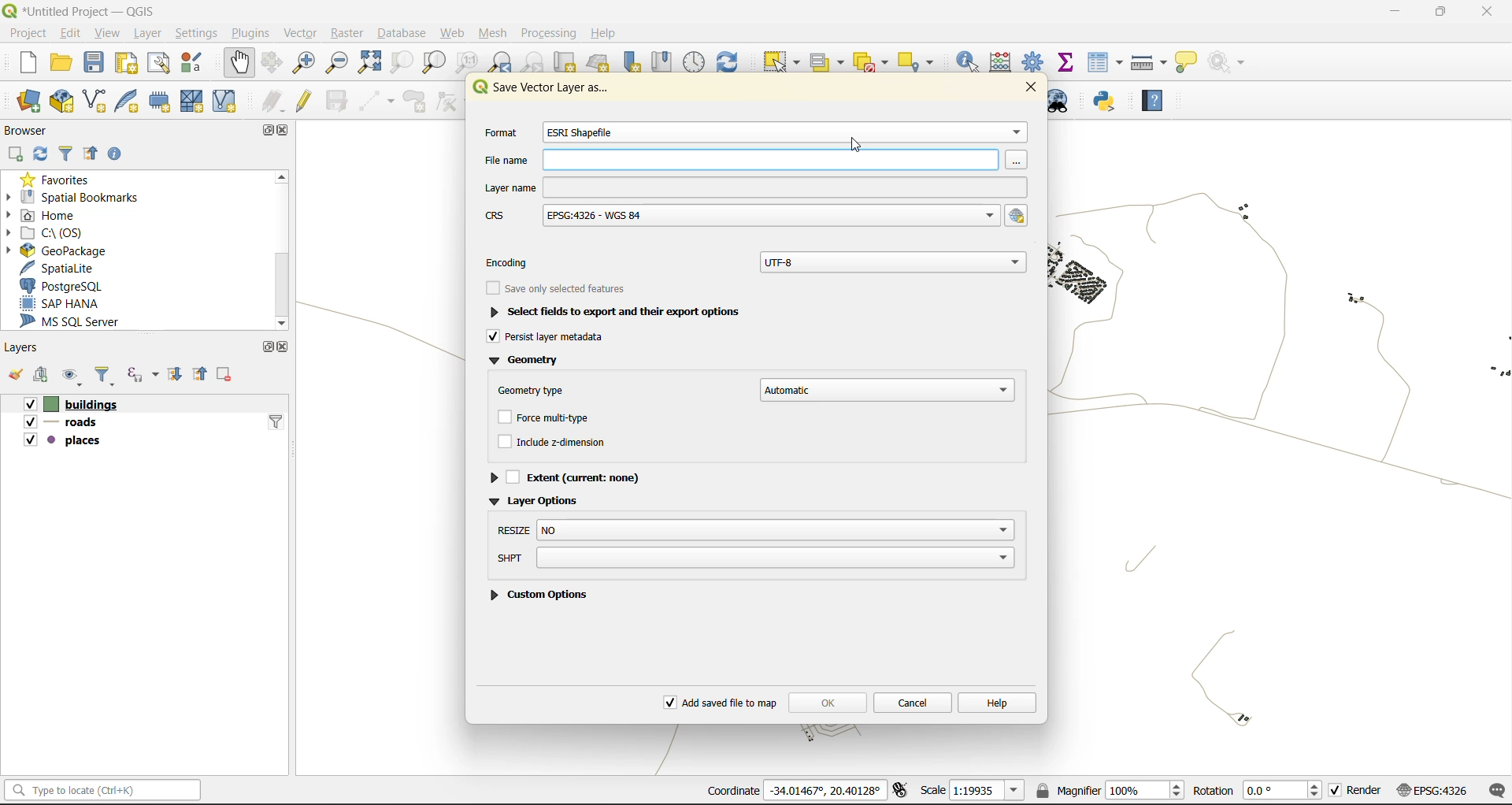 The width and height of the screenshot is (1512, 805). I want to click on zoom out, so click(339, 63).